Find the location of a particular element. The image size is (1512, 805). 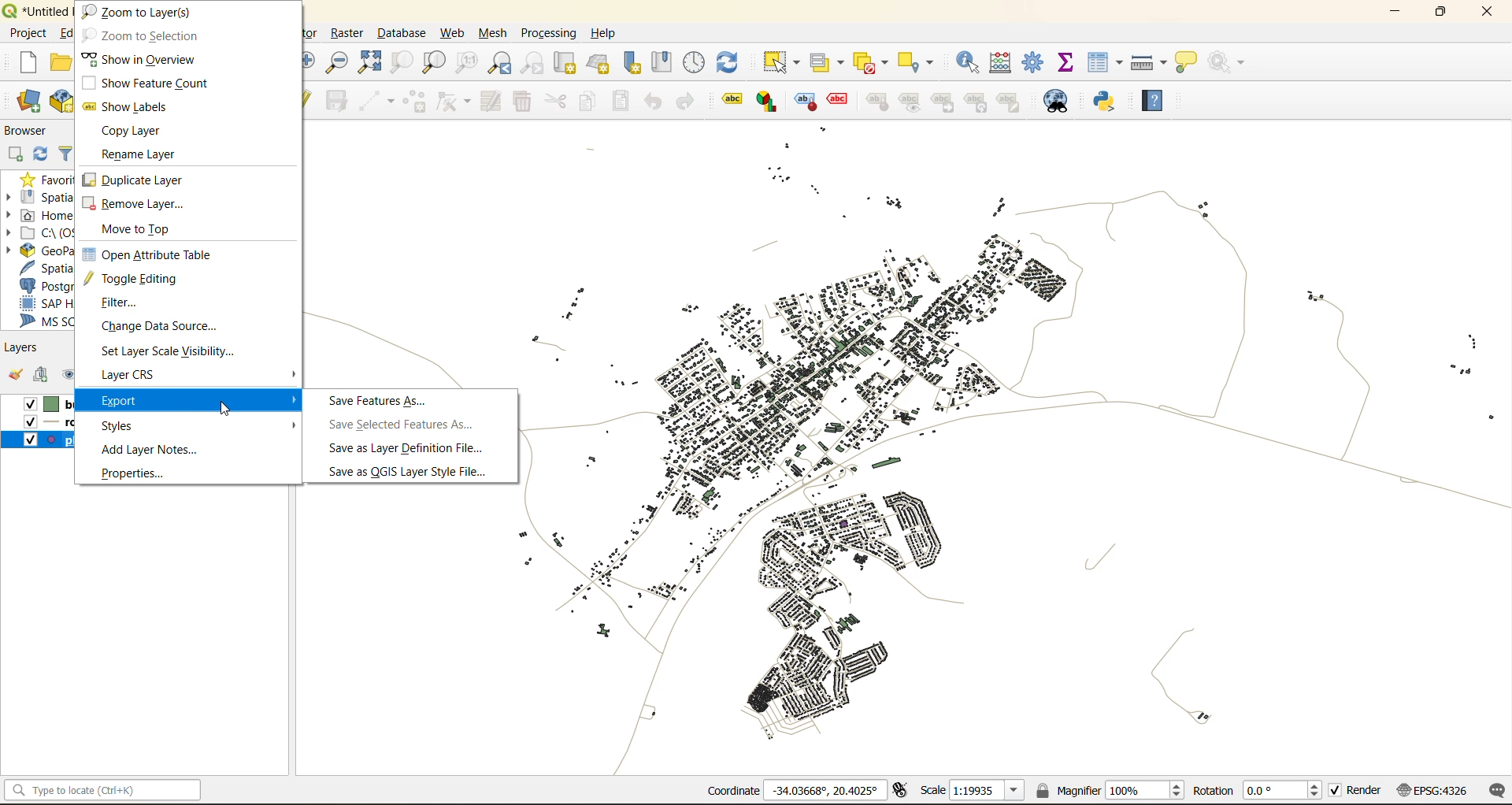

minimize is located at coordinates (1397, 14).